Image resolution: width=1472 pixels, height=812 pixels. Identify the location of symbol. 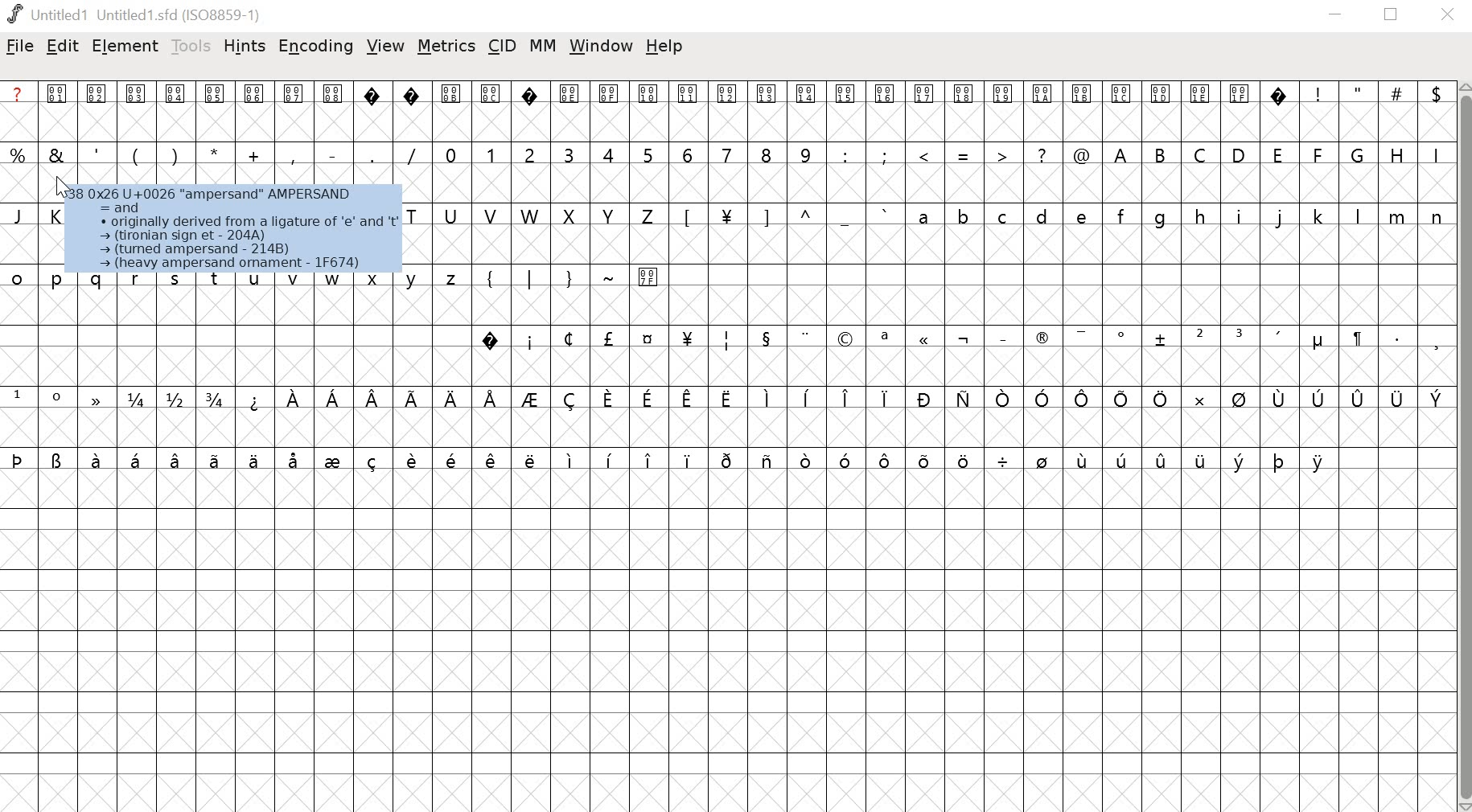
(454, 459).